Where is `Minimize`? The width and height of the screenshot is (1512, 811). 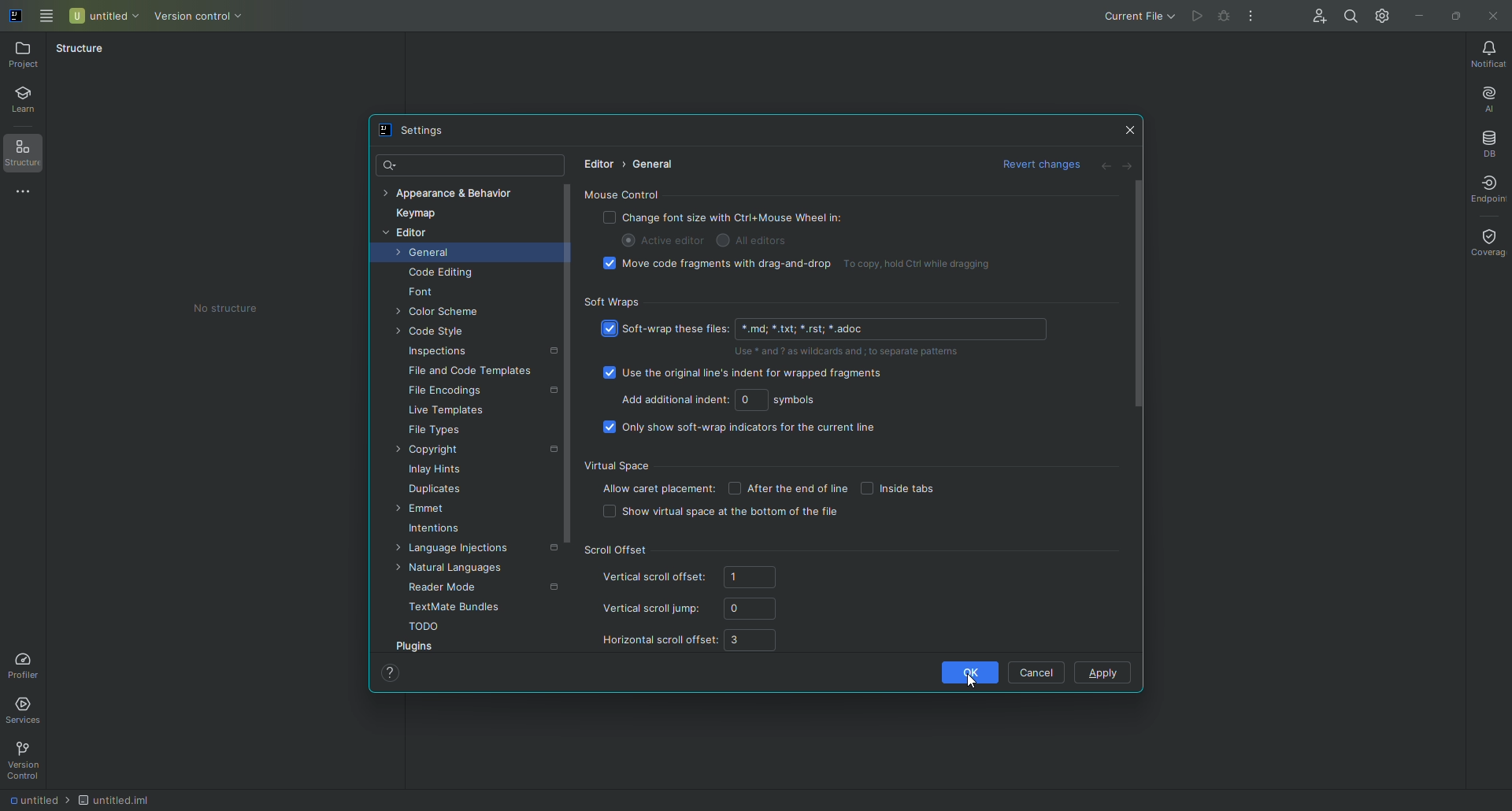
Minimize is located at coordinates (1418, 15).